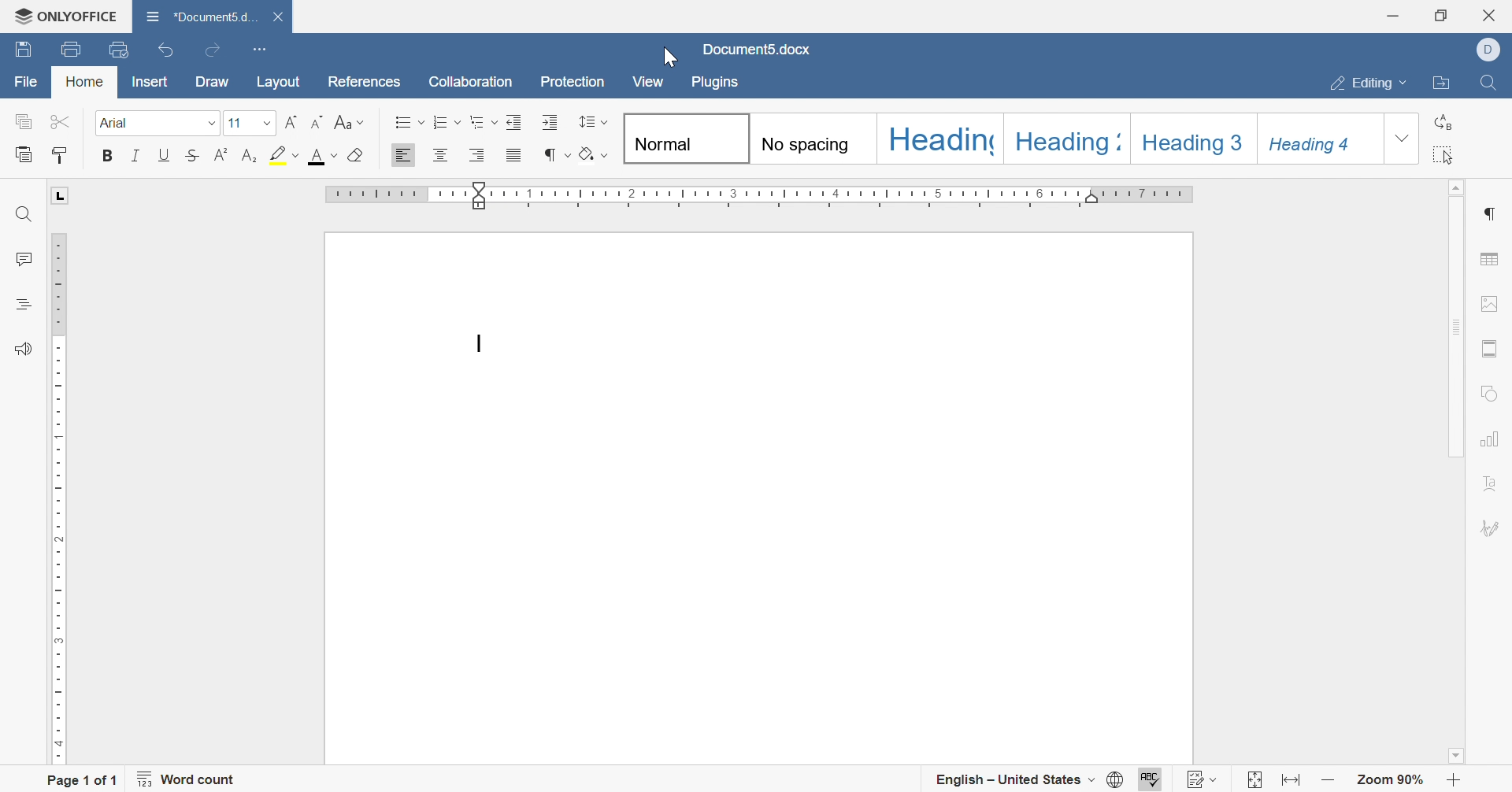 The width and height of the screenshot is (1512, 792). Describe the element at coordinates (1497, 483) in the screenshot. I see `text art settings` at that location.